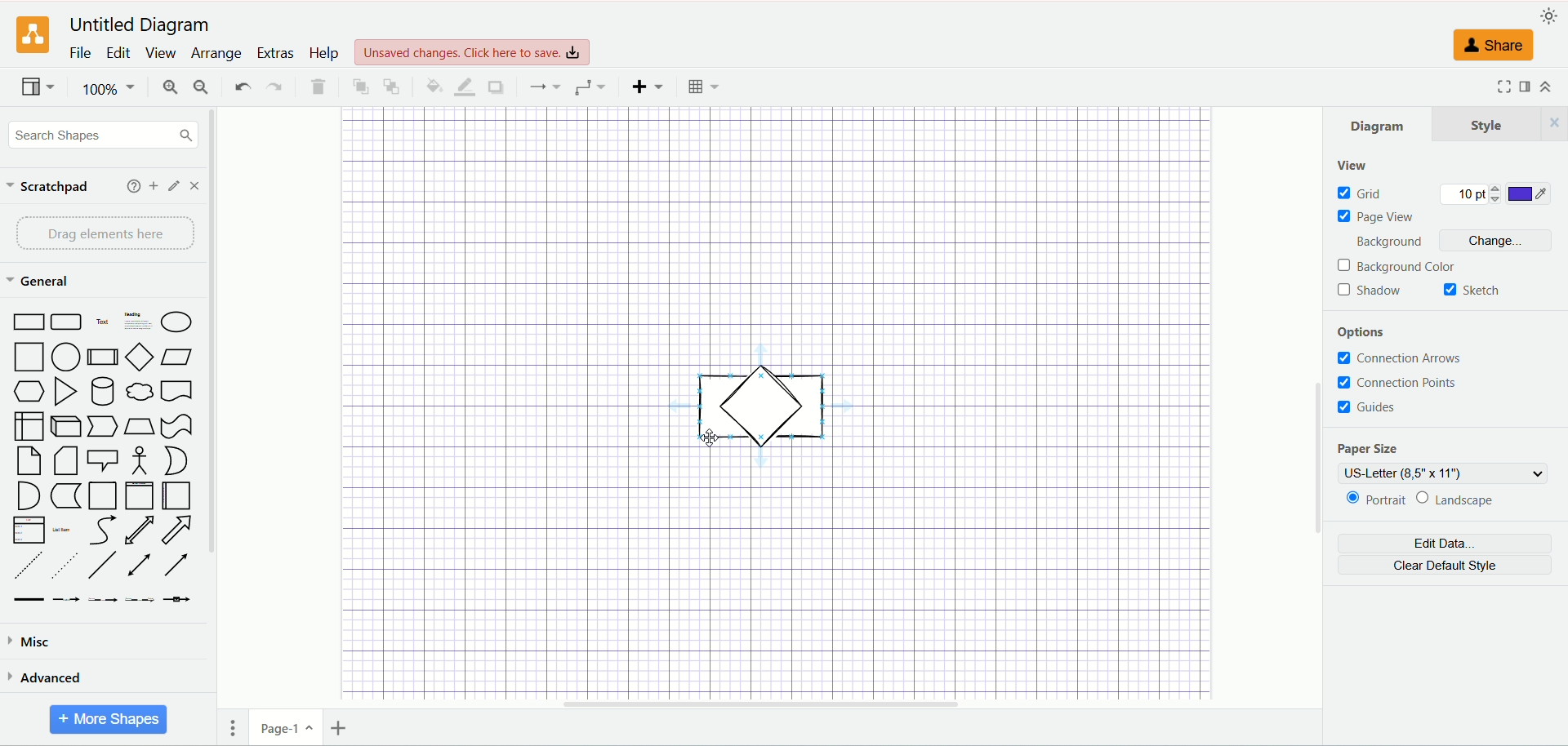  I want to click on process, so click(104, 357).